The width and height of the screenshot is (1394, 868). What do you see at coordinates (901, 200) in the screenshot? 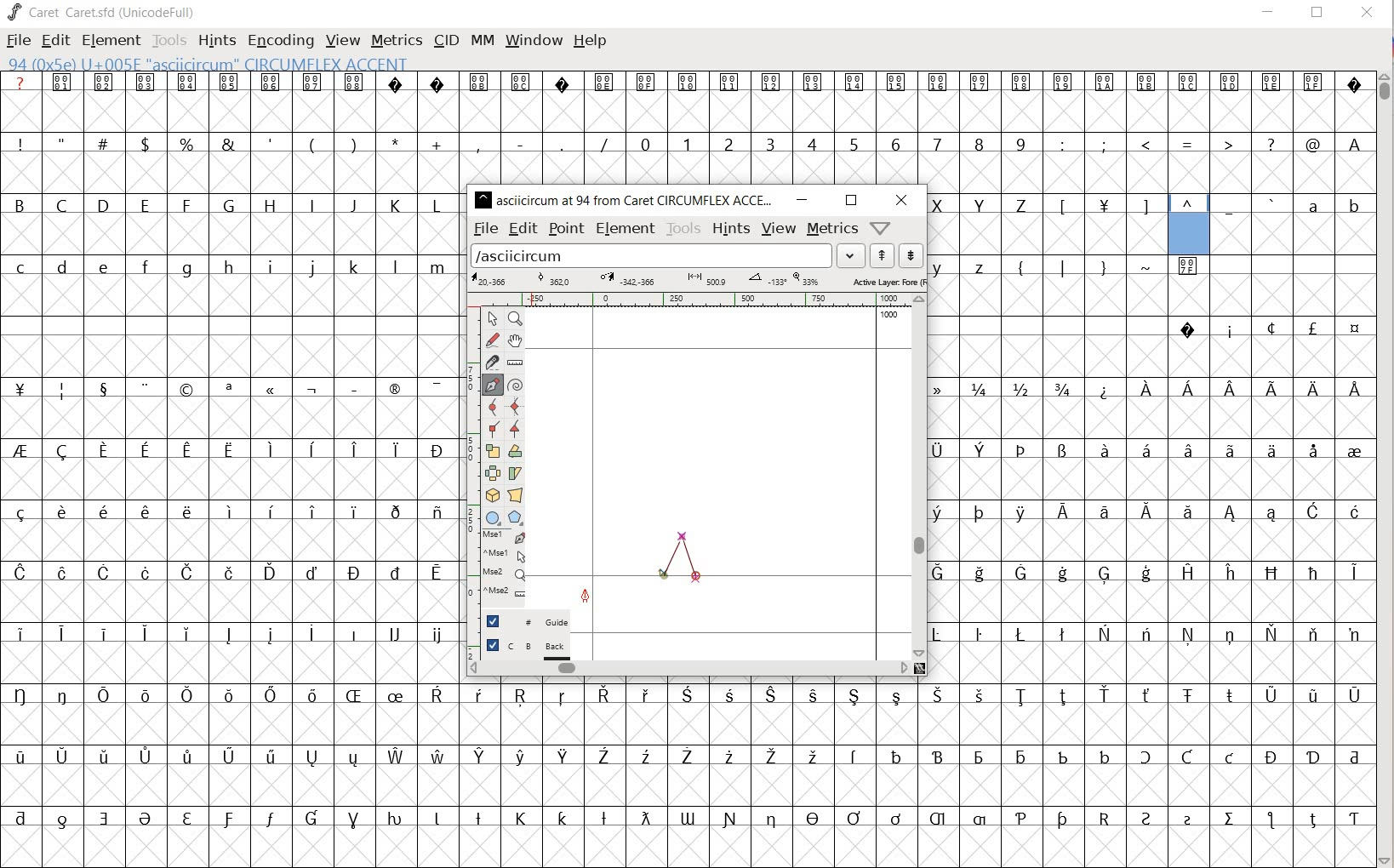
I see `close` at bounding box center [901, 200].